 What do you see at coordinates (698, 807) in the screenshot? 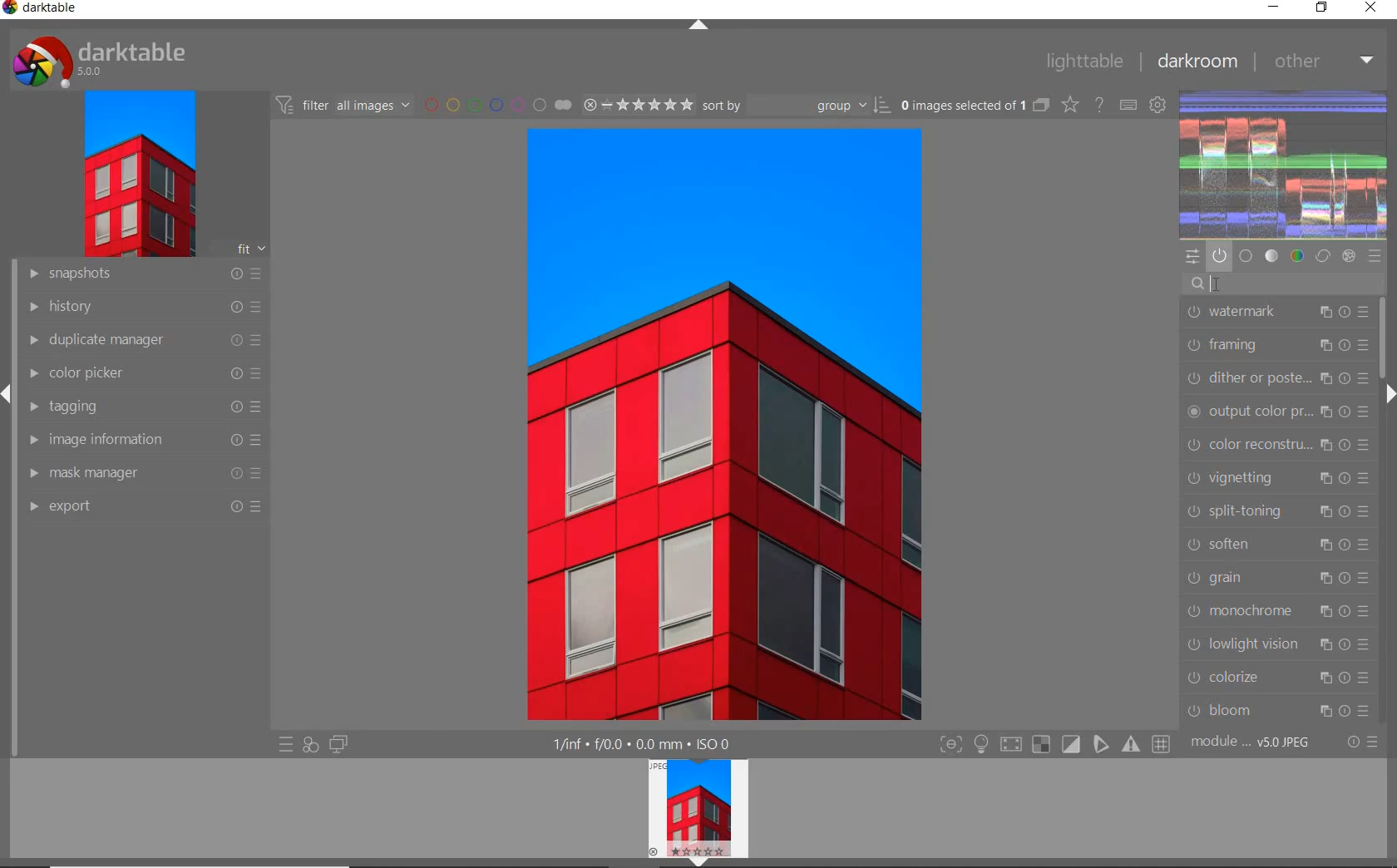
I see `image preview` at bounding box center [698, 807].